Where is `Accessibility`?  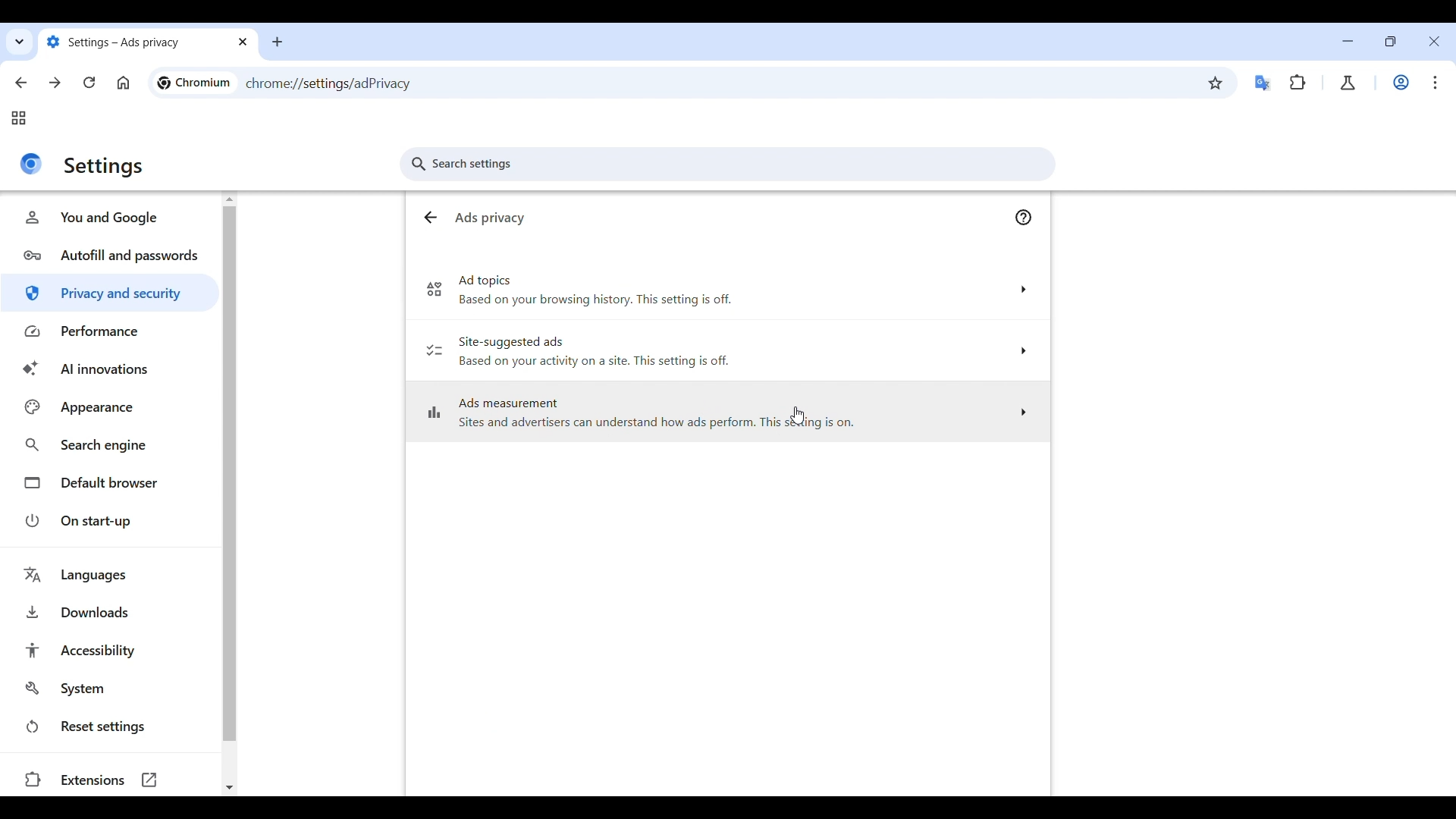 Accessibility is located at coordinates (111, 650).